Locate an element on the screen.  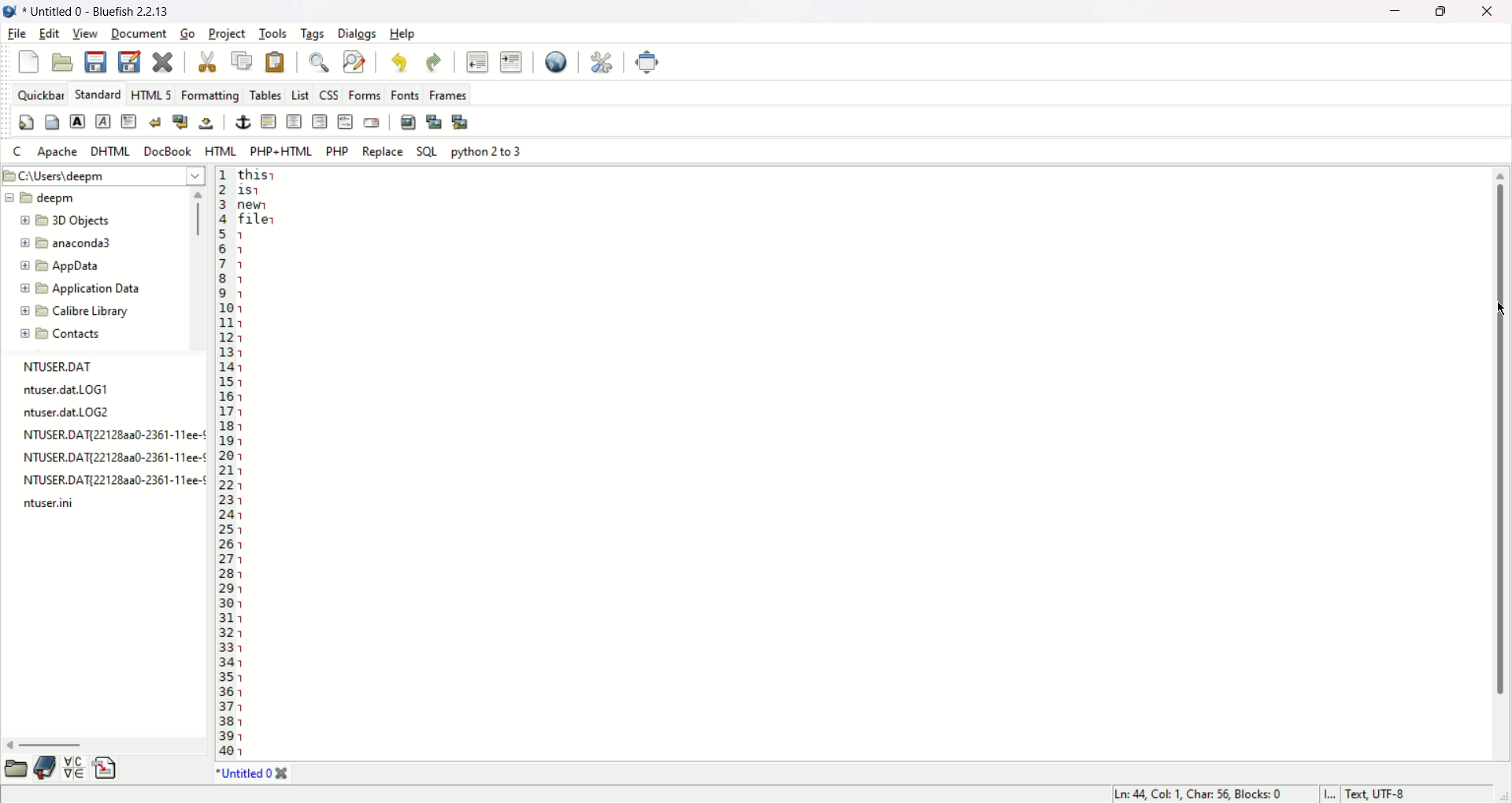
quickbar is located at coordinates (40, 94).